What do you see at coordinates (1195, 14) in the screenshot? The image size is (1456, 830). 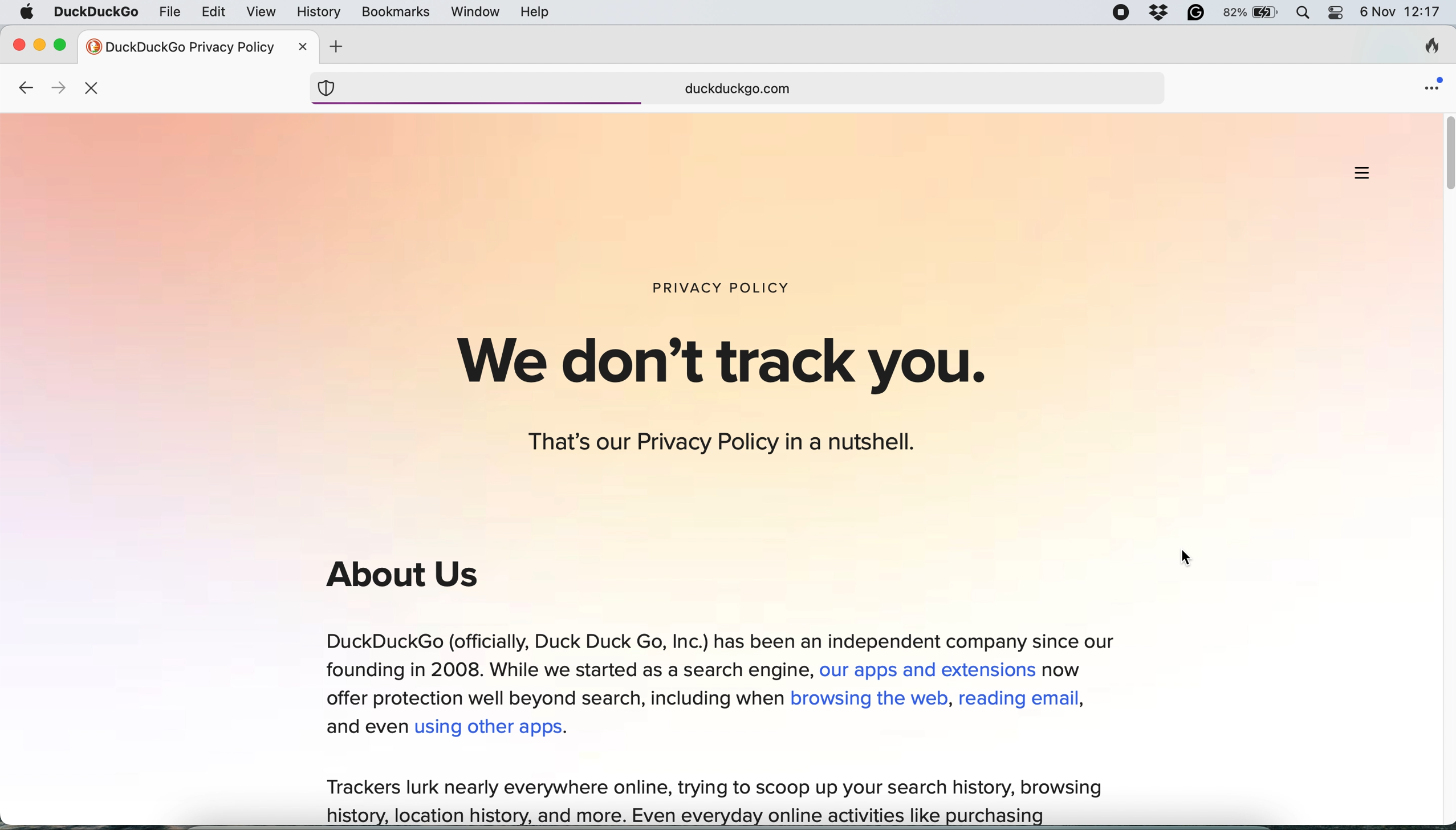 I see `grammarly` at bounding box center [1195, 14].